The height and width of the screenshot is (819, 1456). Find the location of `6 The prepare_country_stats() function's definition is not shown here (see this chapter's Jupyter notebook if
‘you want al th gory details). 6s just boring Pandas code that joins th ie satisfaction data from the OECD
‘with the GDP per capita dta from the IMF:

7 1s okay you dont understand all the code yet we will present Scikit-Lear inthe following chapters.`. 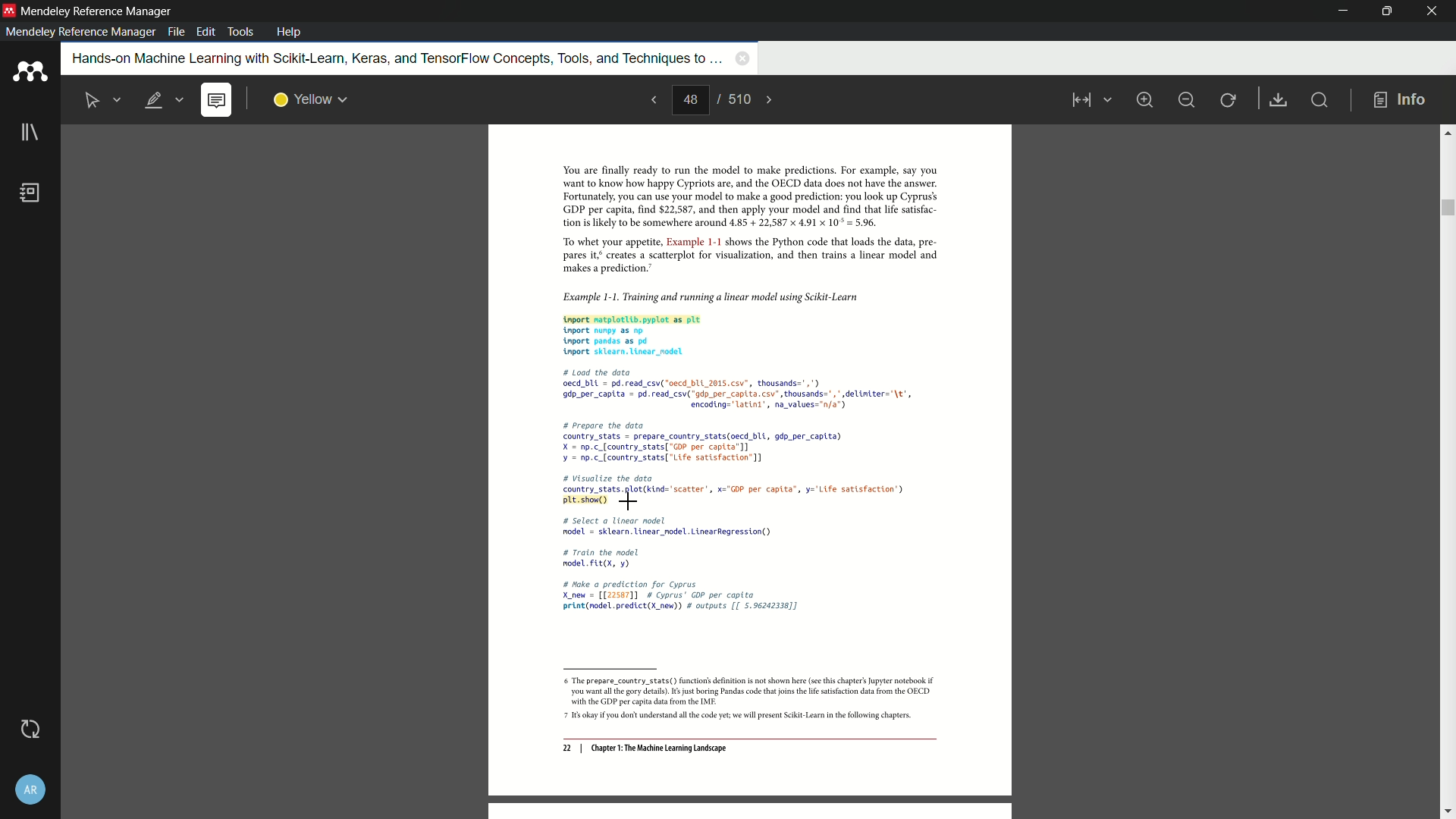

6 The prepare_country_stats() function's definition is not shown here (see this chapter's Jupyter notebook if
‘you want al th gory details). 6s just boring Pandas code that joins th ie satisfaction data from the OECD
‘with the GDP per capita dta from the IMF:

7 1s okay you dont understand all the code yet we will present Scikit-Lear inthe following chapters. is located at coordinates (743, 700).